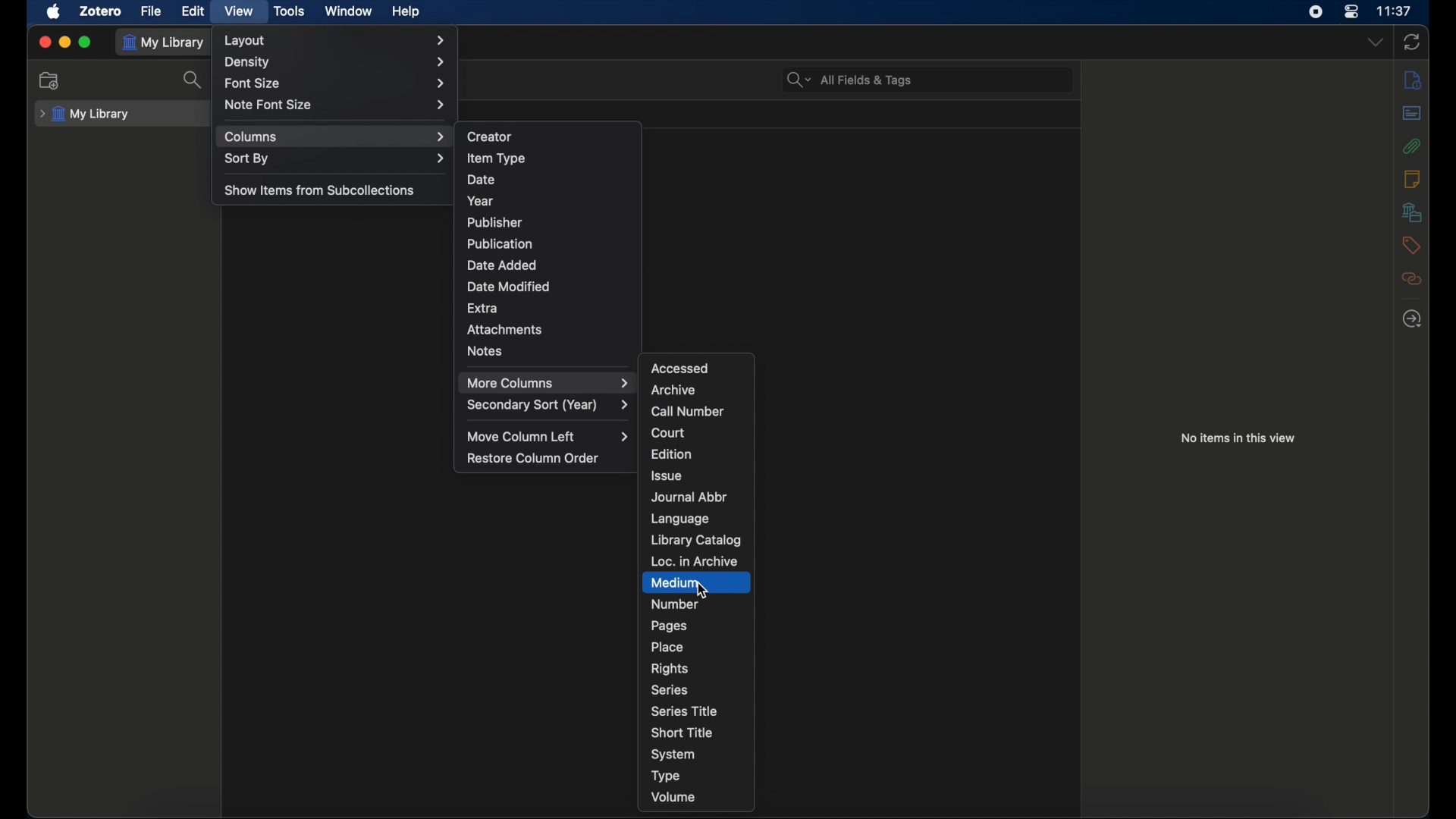  Describe the element at coordinates (509, 286) in the screenshot. I see `date modified` at that location.